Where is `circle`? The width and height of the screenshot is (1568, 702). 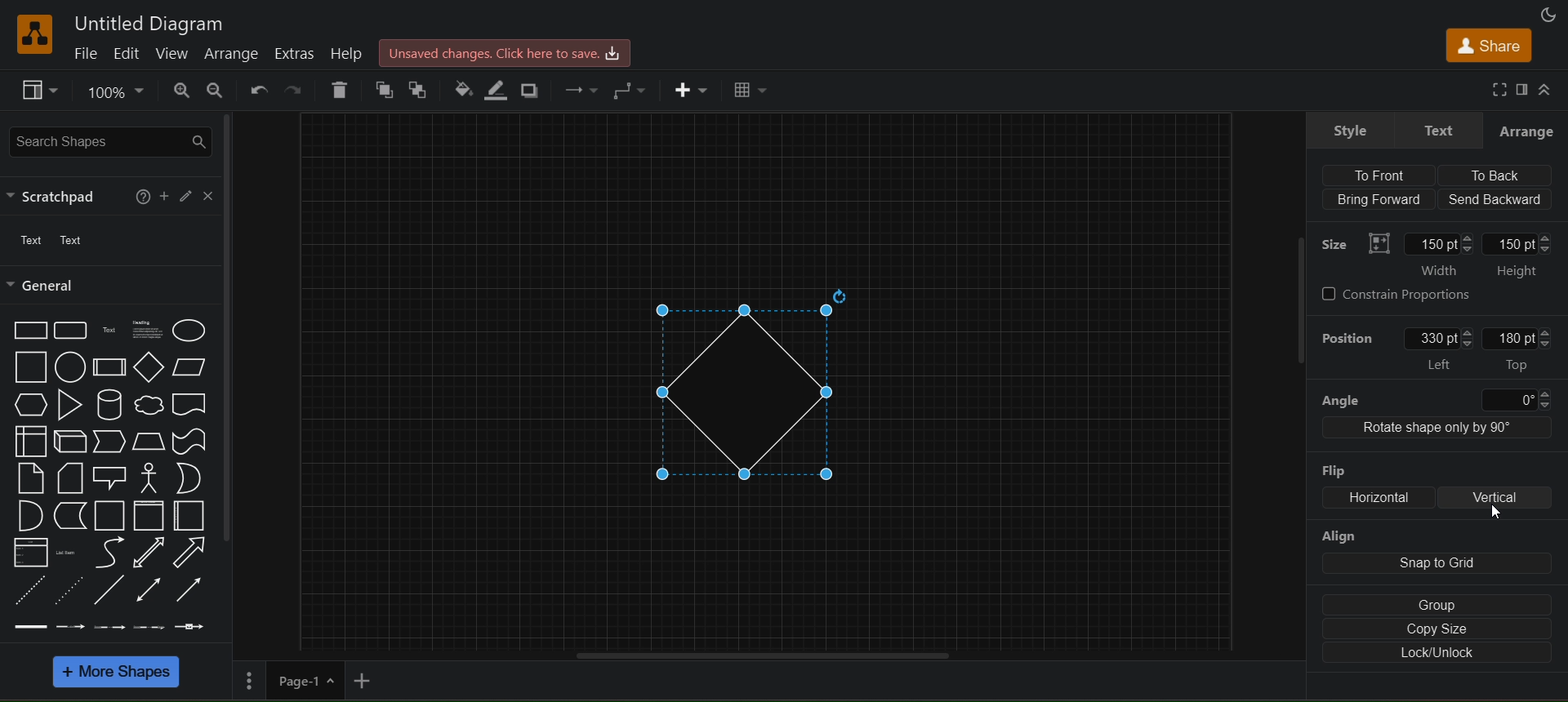 circle is located at coordinates (68, 366).